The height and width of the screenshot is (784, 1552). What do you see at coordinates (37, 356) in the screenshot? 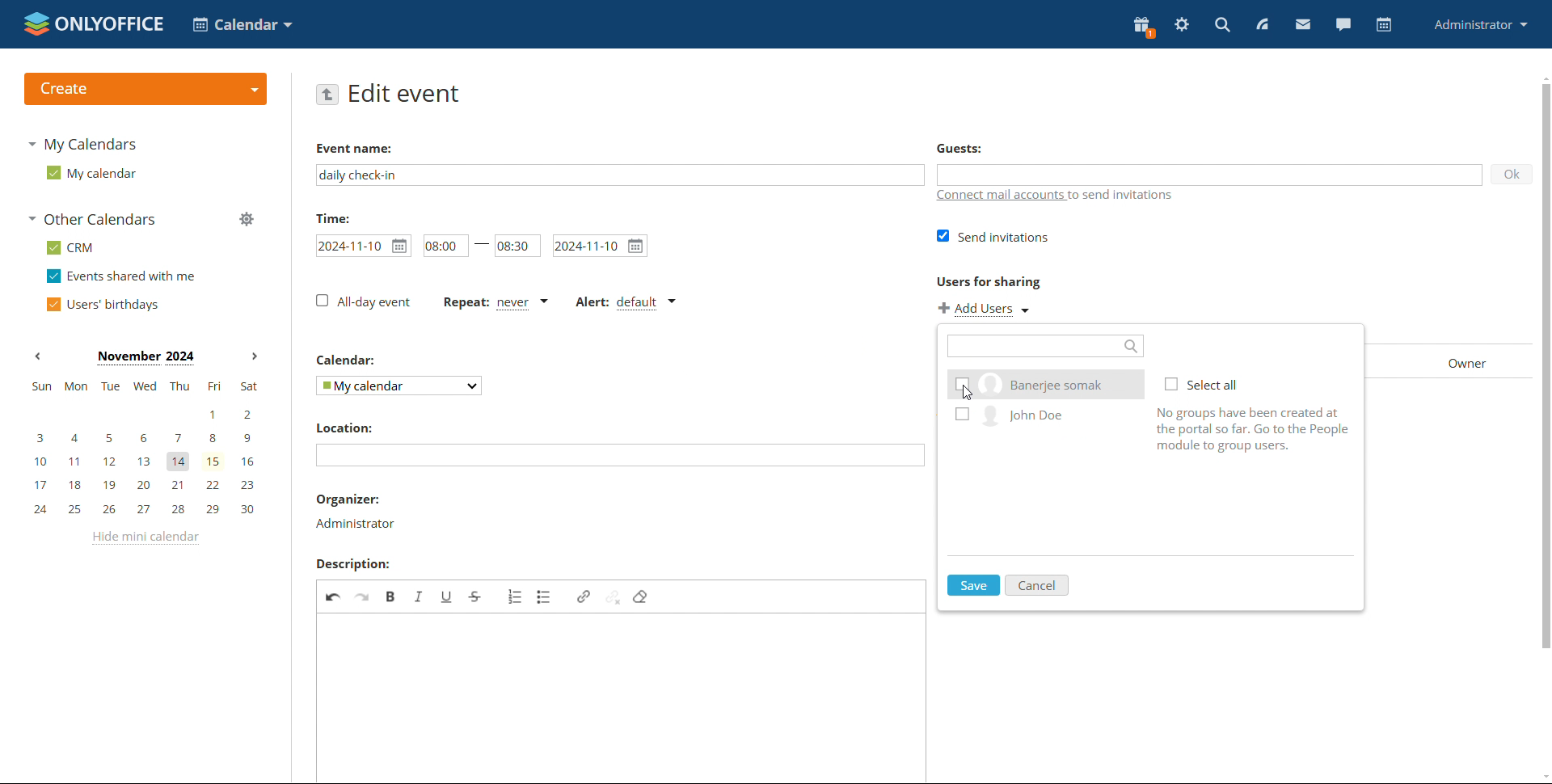
I see `previous month` at bounding box center [37, 356].